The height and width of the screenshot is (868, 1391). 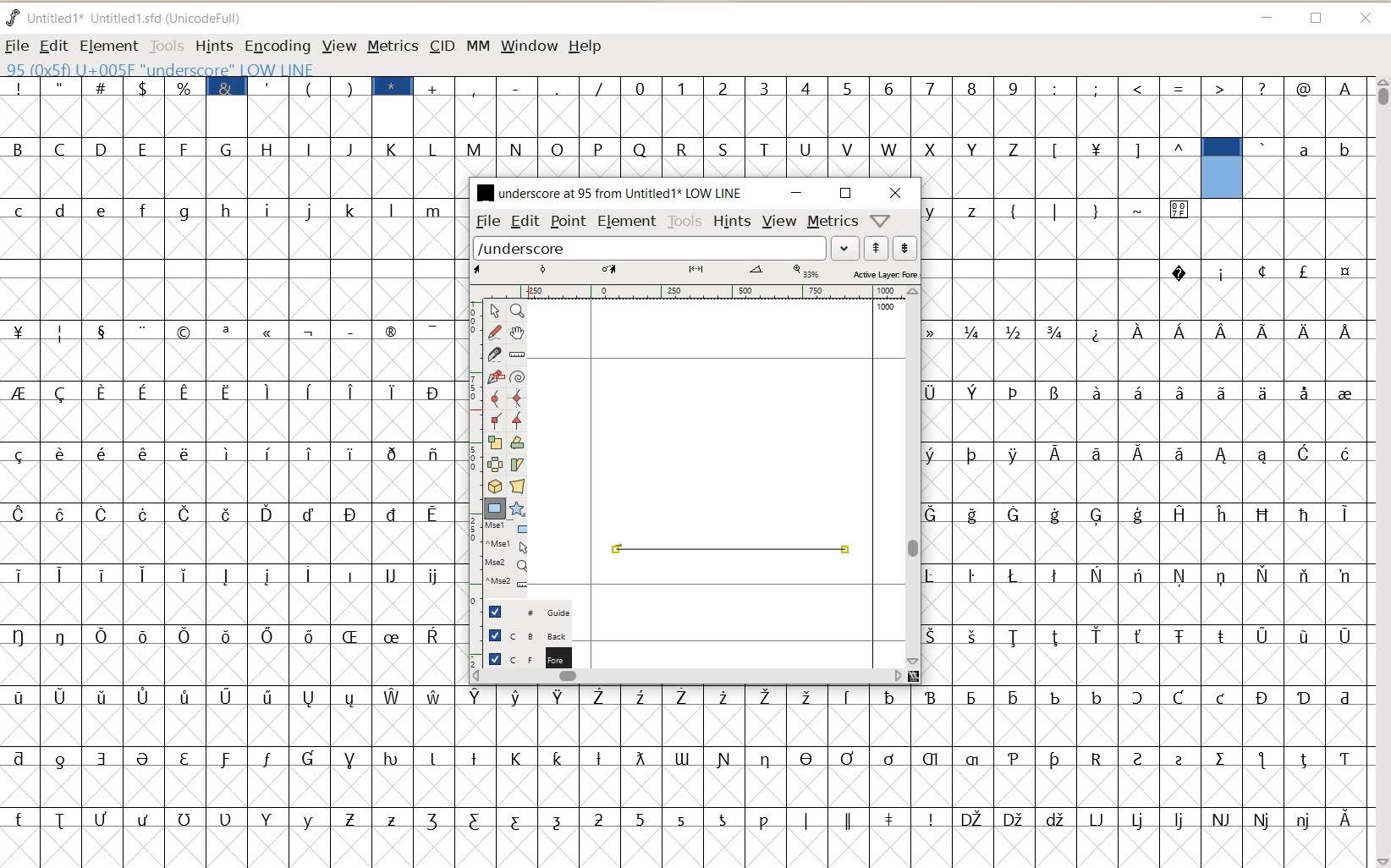 I want to click on scale the selection, so click(x=493, y=442).